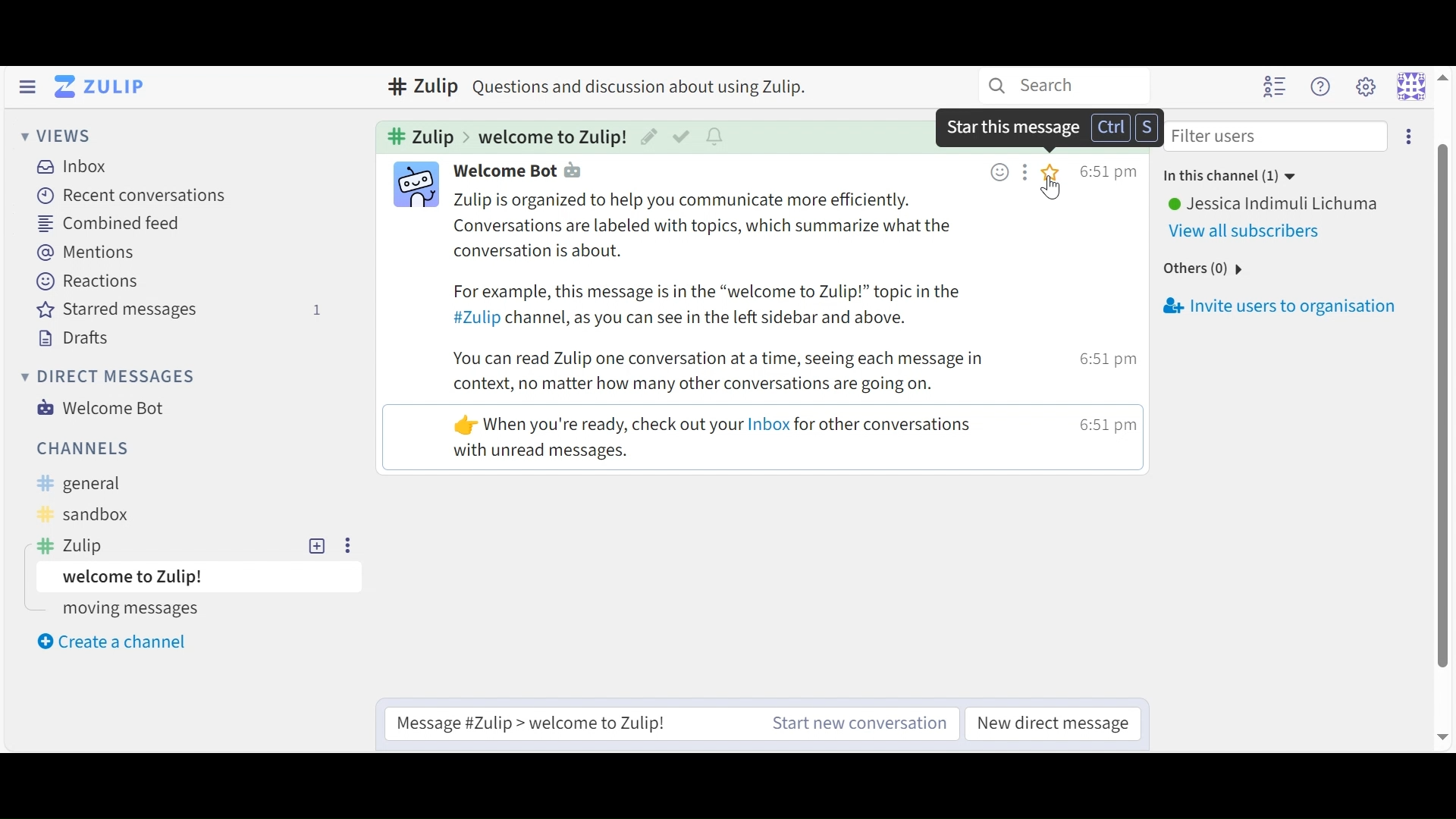 Image resolution: width=1456 pixels, height=819 pixels. I want to click on Edit Topic, so click(651, 135).